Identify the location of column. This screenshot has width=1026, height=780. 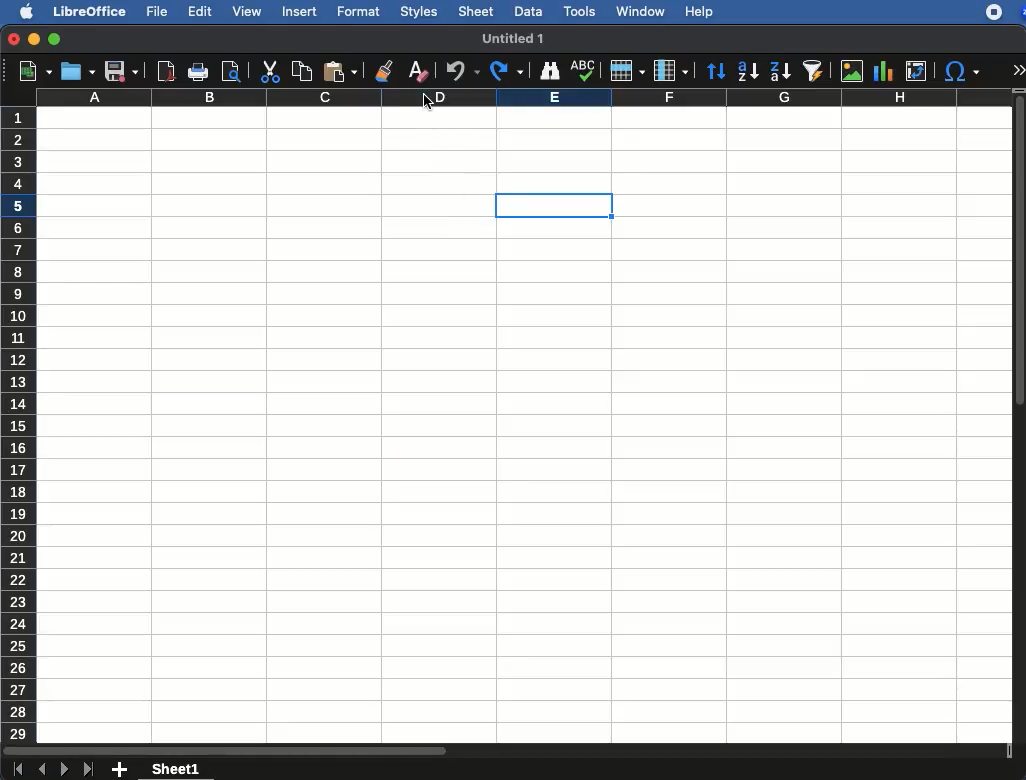
(524, 98).